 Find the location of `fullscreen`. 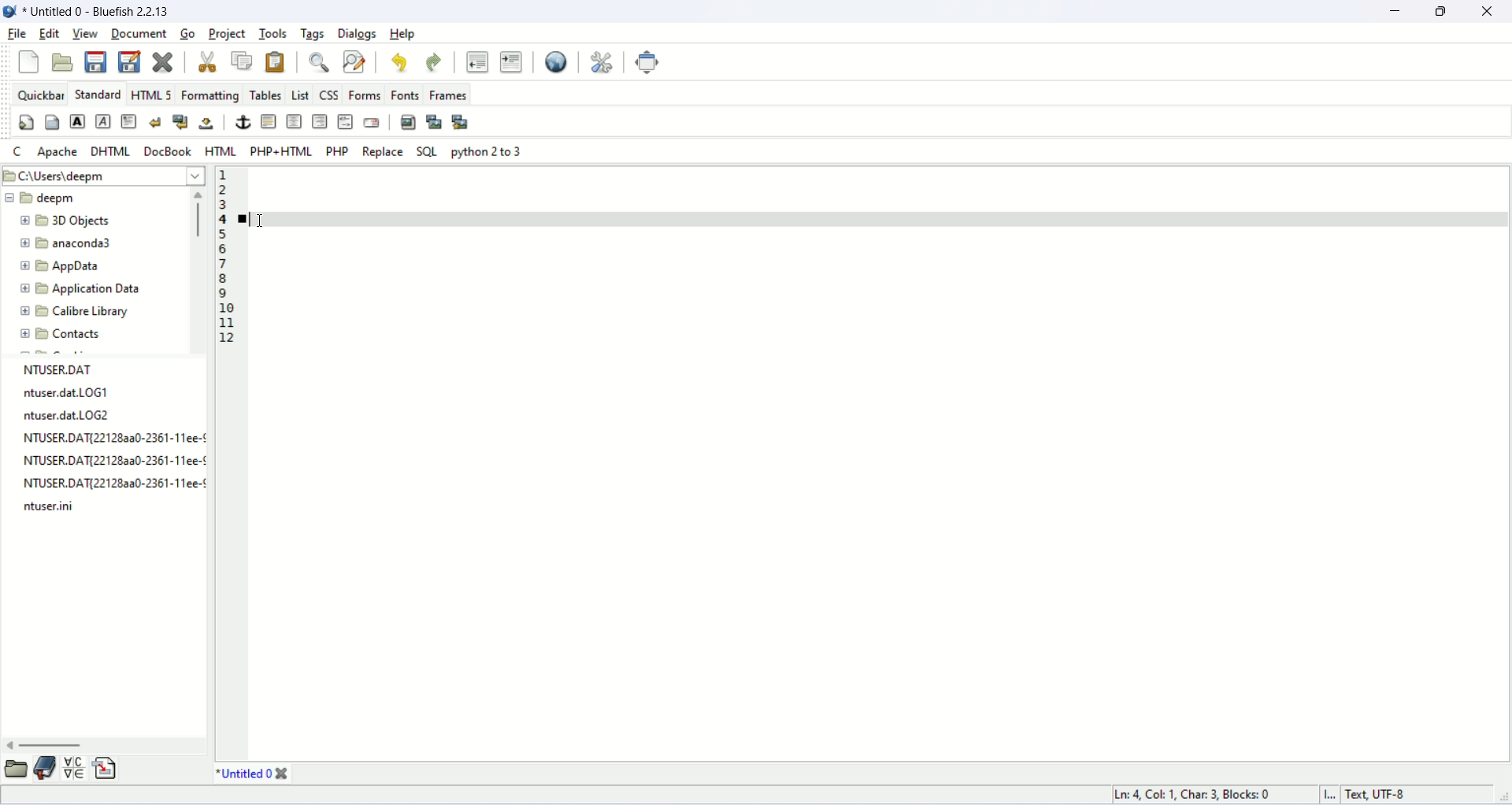

fullscreen is located at coordinates (650, 63).